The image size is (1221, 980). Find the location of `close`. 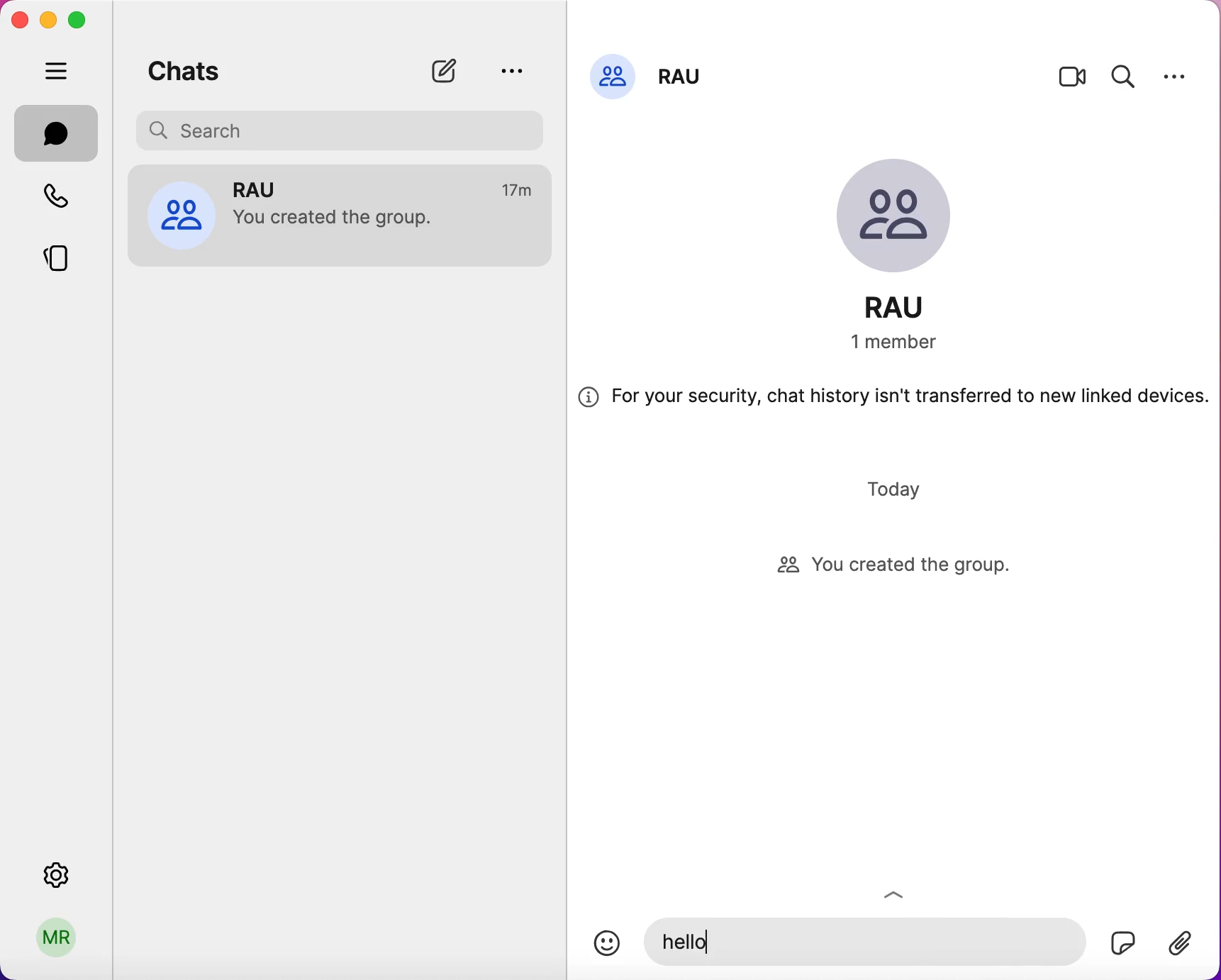

close is located at coordinates (19, 20).